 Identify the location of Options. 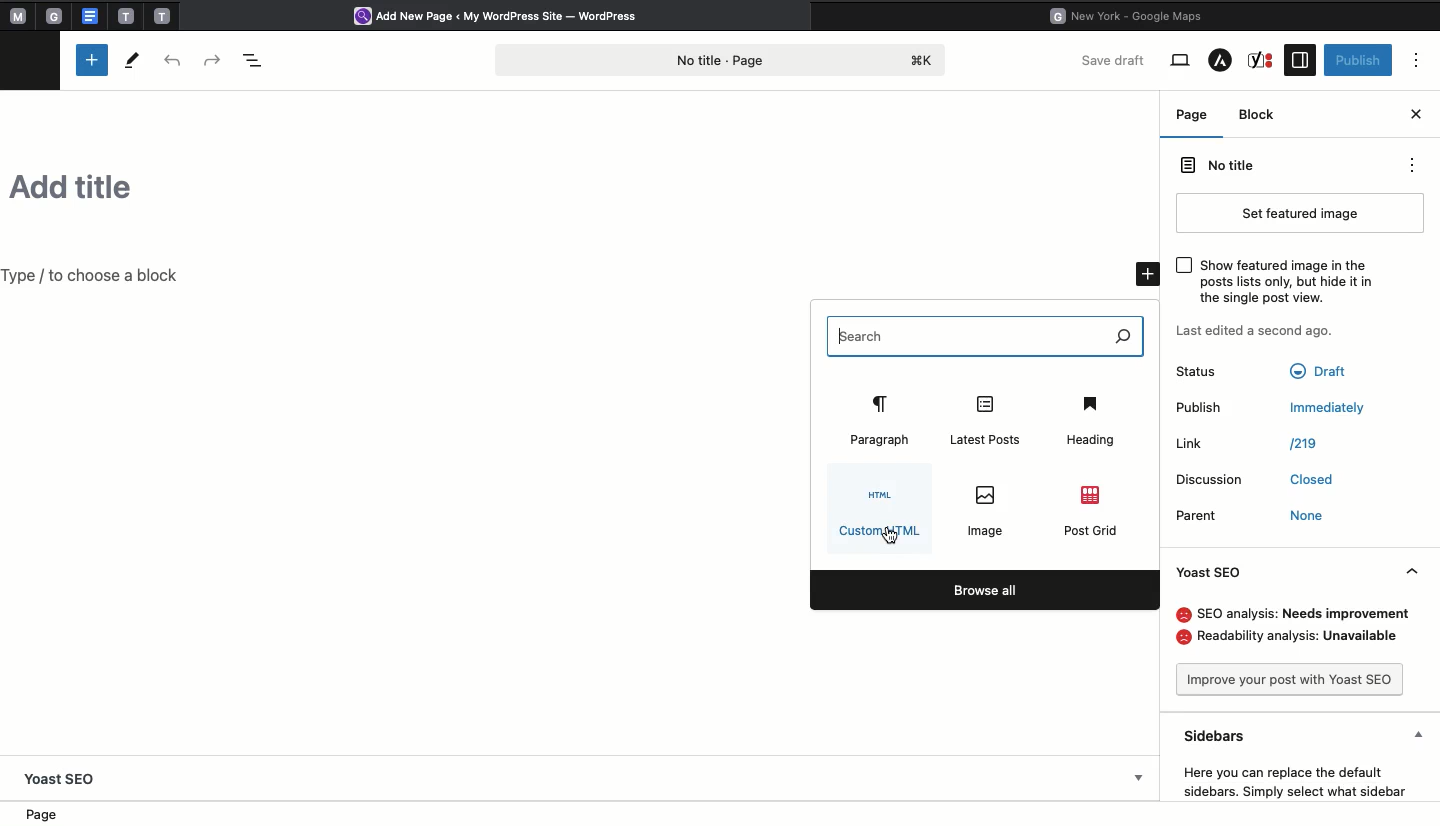
(1418, 60).